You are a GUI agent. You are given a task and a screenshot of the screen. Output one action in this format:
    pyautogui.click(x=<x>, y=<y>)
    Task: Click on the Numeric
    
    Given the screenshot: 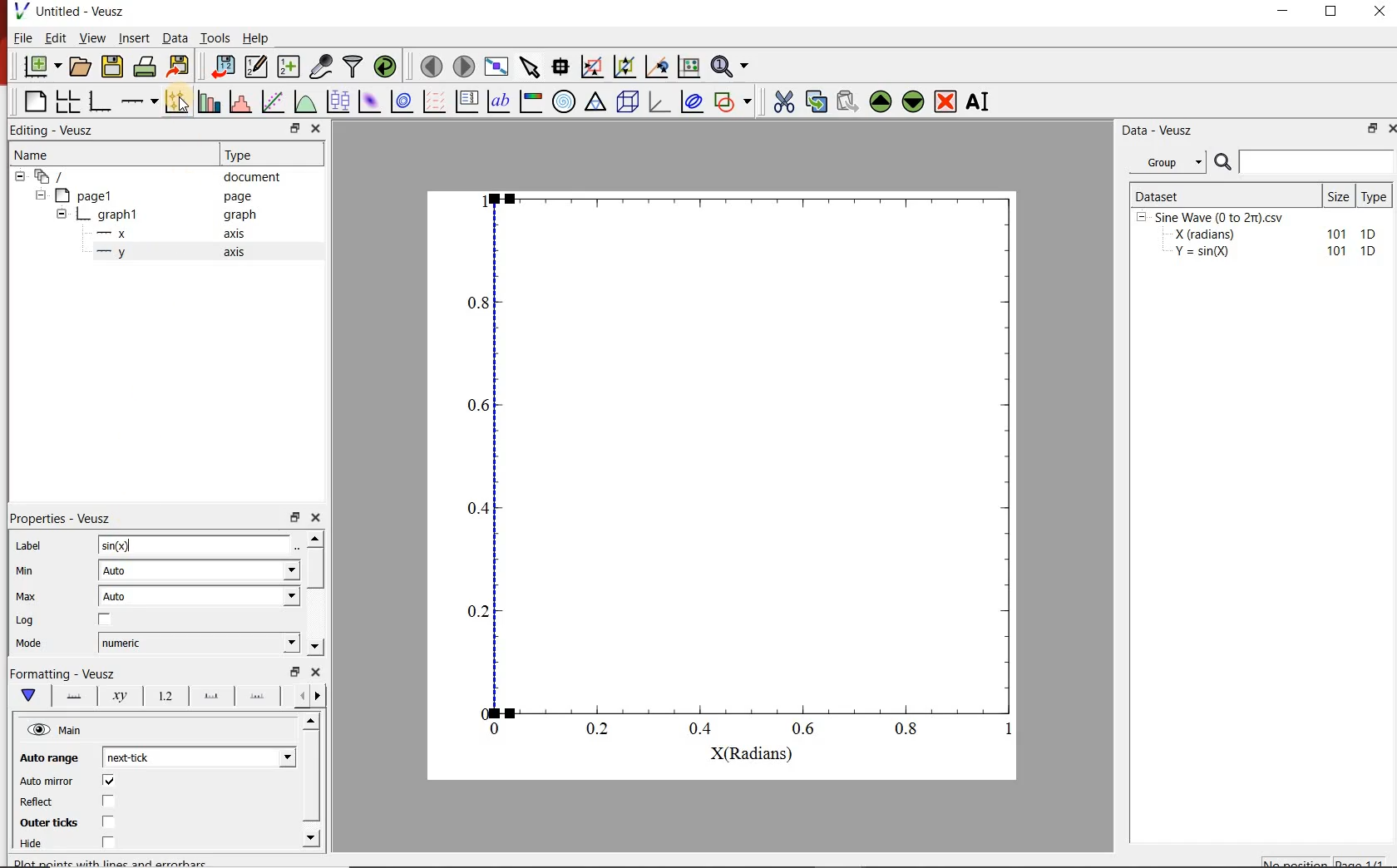 What is the action you would take?
    pyautogui.click(x=199, y=644)
    